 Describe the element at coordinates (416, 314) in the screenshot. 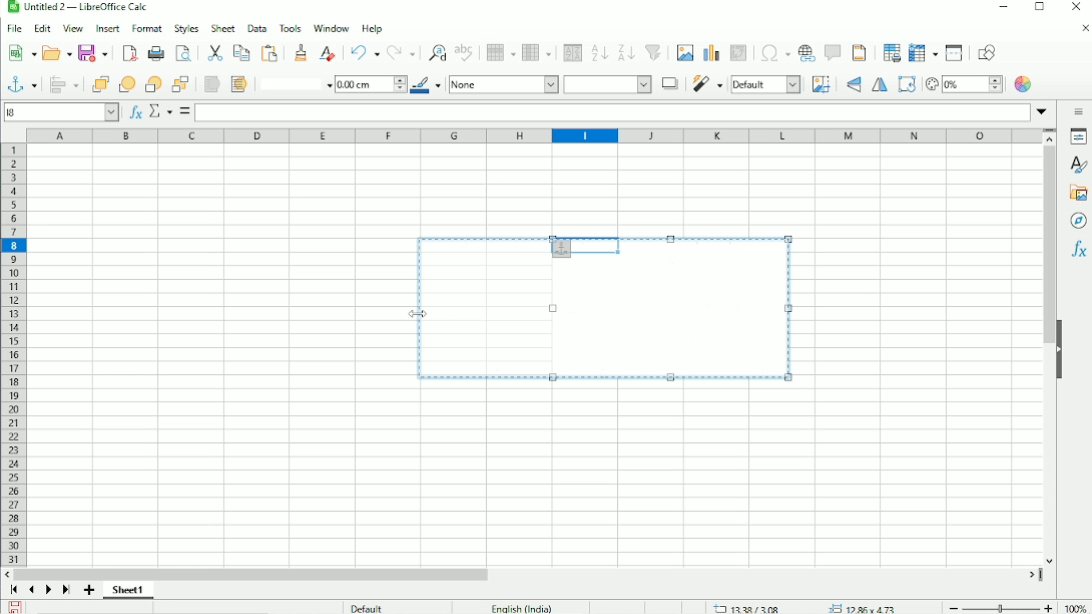

I see `Cursor` at that location.